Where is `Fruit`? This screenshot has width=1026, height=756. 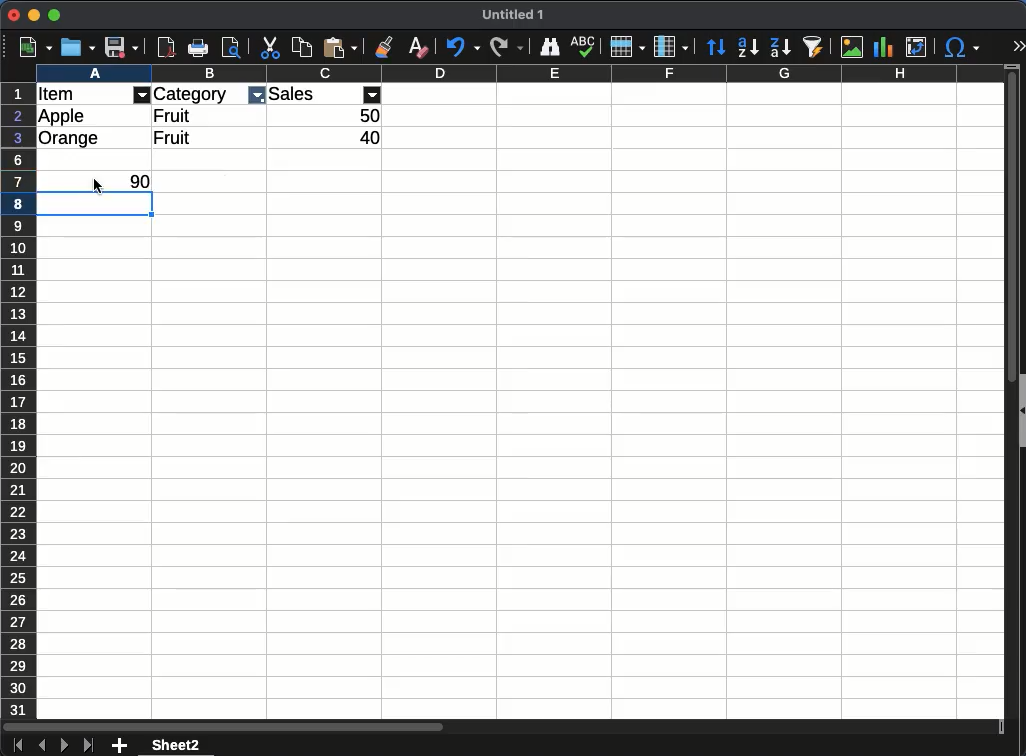 Fruit is located at coordinates (171, 137).